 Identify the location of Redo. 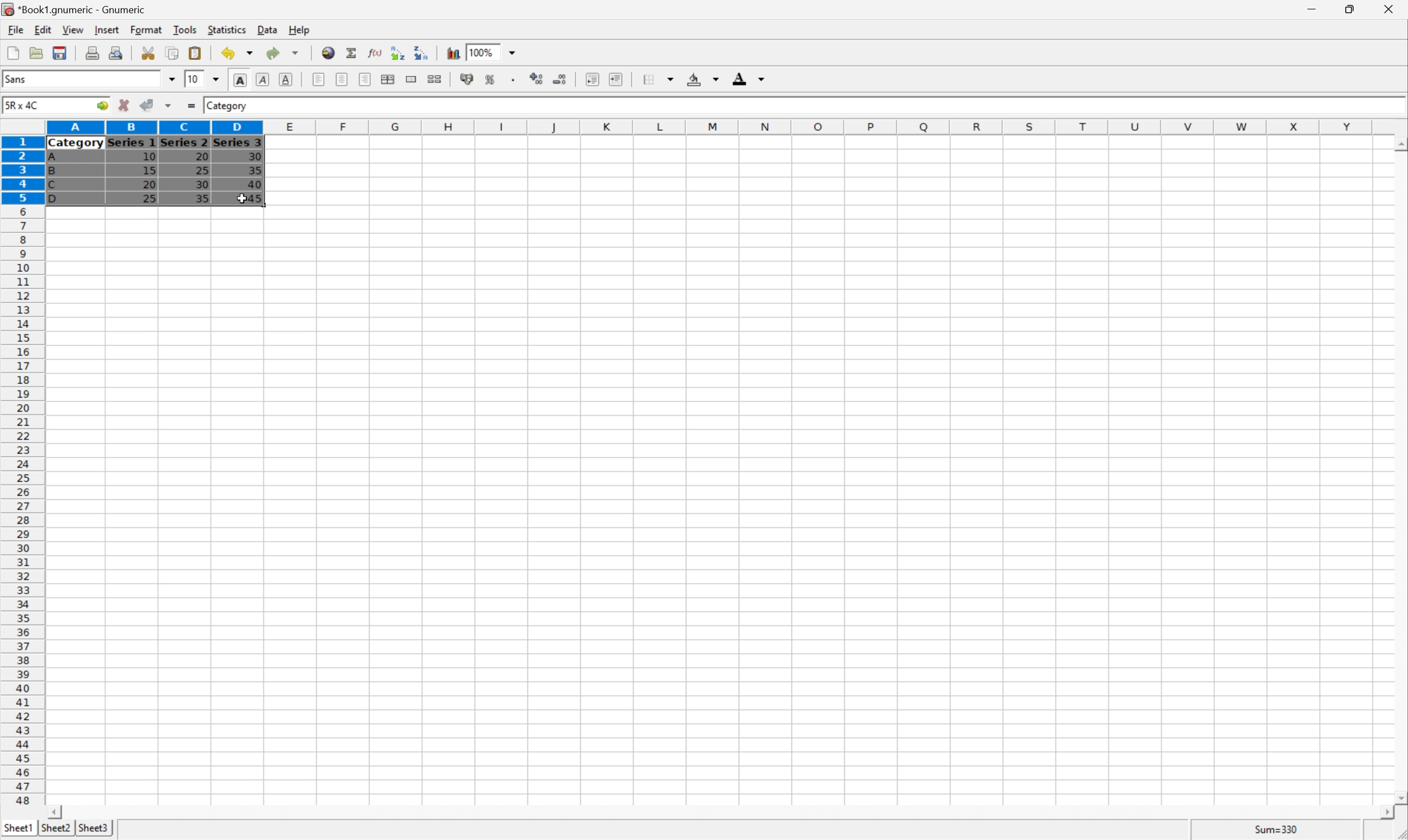
(281, 52).